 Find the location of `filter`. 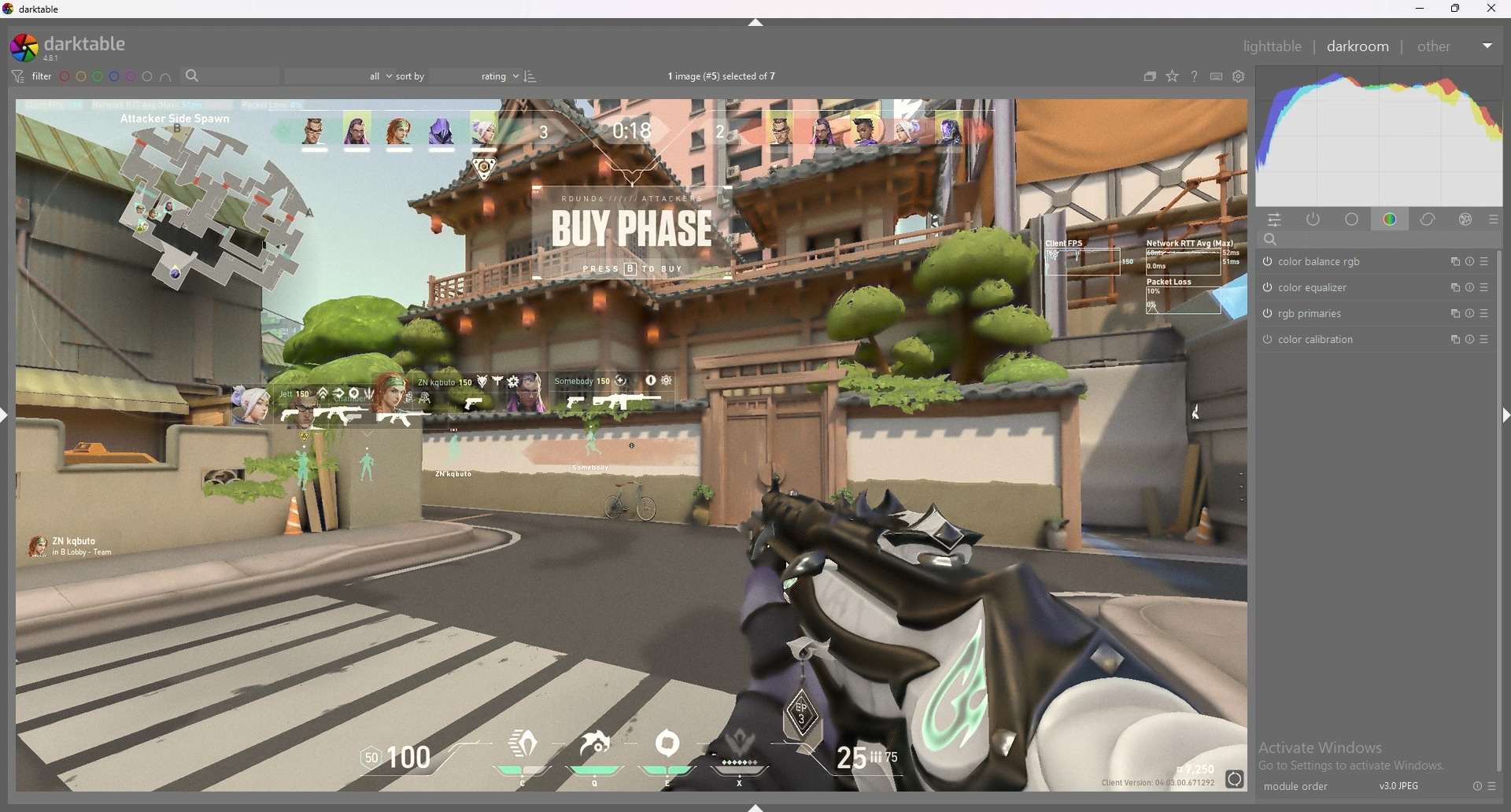

filter is located at coordinates (30, 76).